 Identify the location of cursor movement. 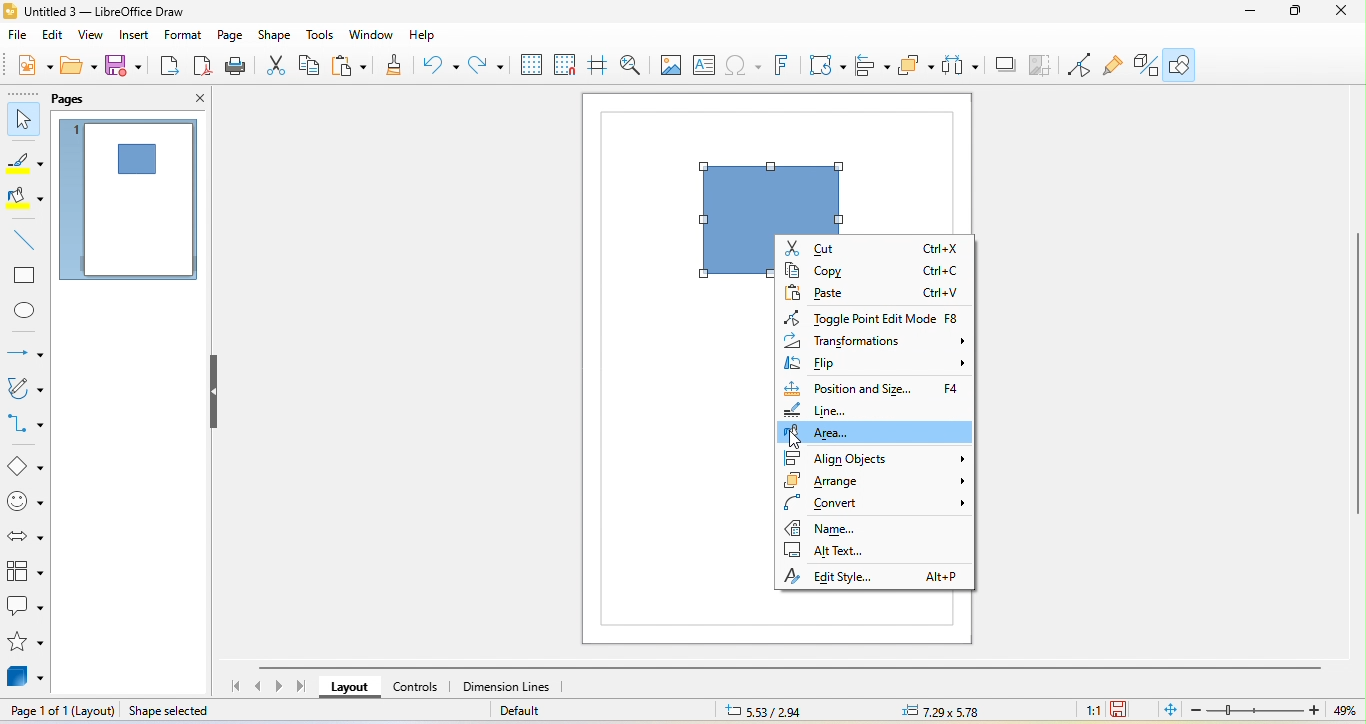
(799, 440).